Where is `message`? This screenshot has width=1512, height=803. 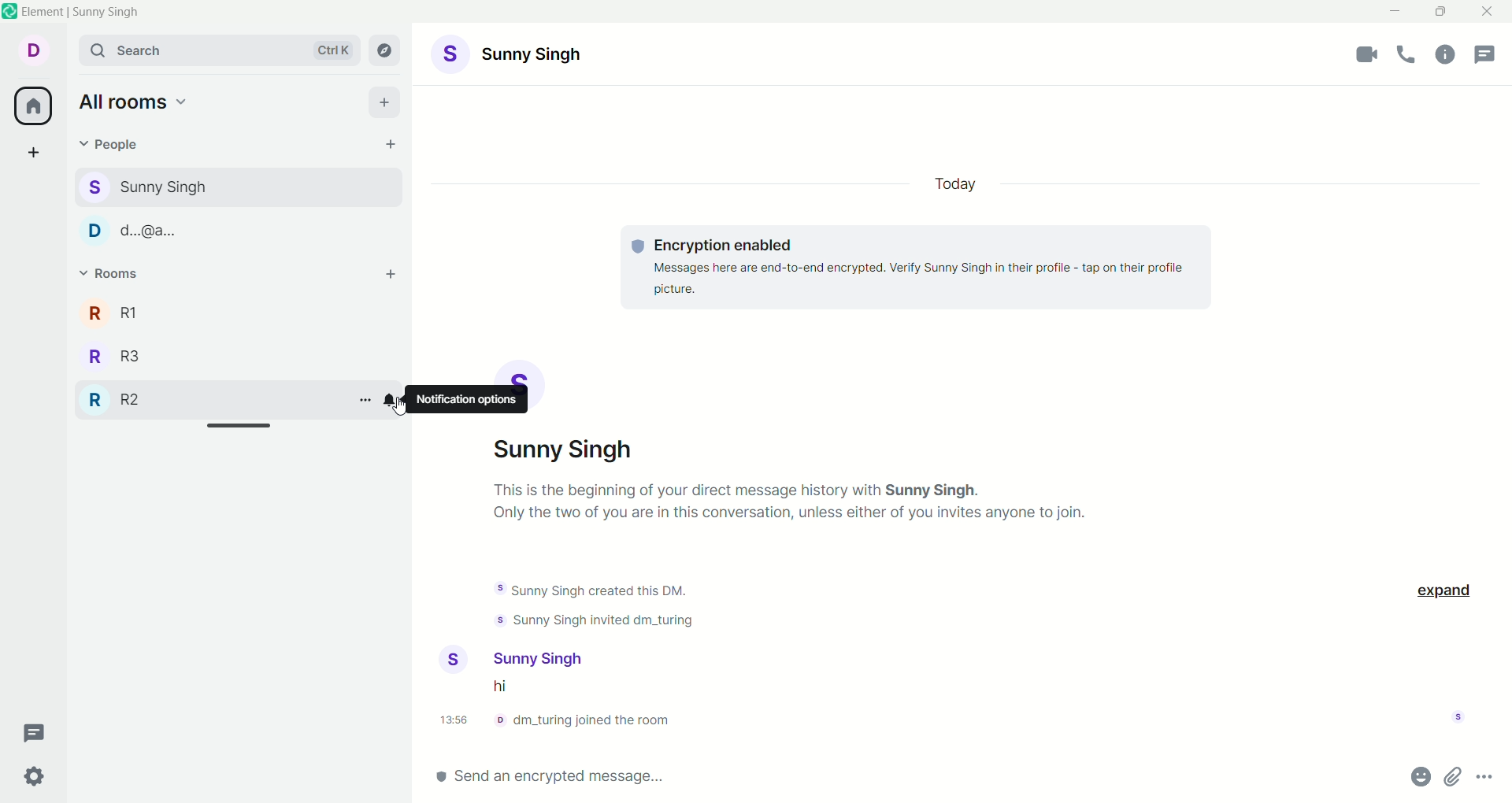 message is located at coordinates (510, 688).